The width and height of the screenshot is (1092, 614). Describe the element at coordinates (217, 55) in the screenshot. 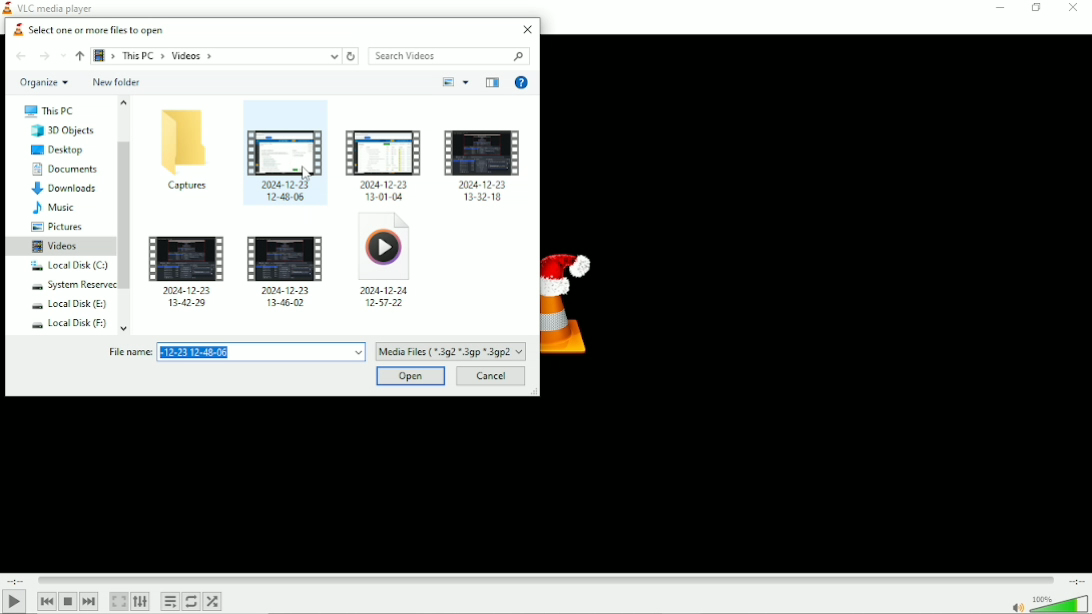

I see `Location` at that location.